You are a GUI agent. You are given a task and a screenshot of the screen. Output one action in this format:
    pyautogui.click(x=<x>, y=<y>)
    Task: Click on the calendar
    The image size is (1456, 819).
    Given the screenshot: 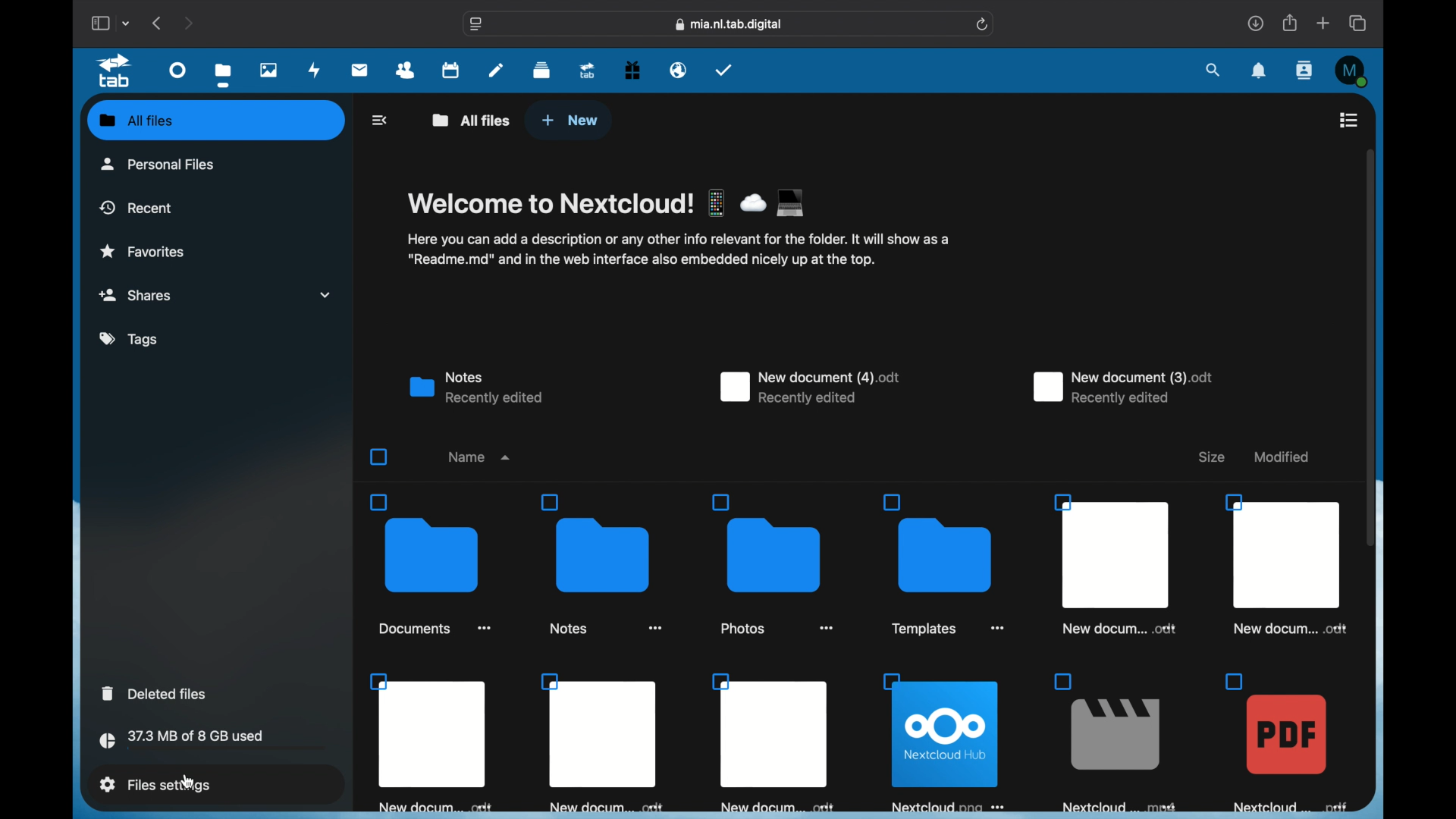 What is the action you would take?
    pyautogui.click(x=451, y=70)
    